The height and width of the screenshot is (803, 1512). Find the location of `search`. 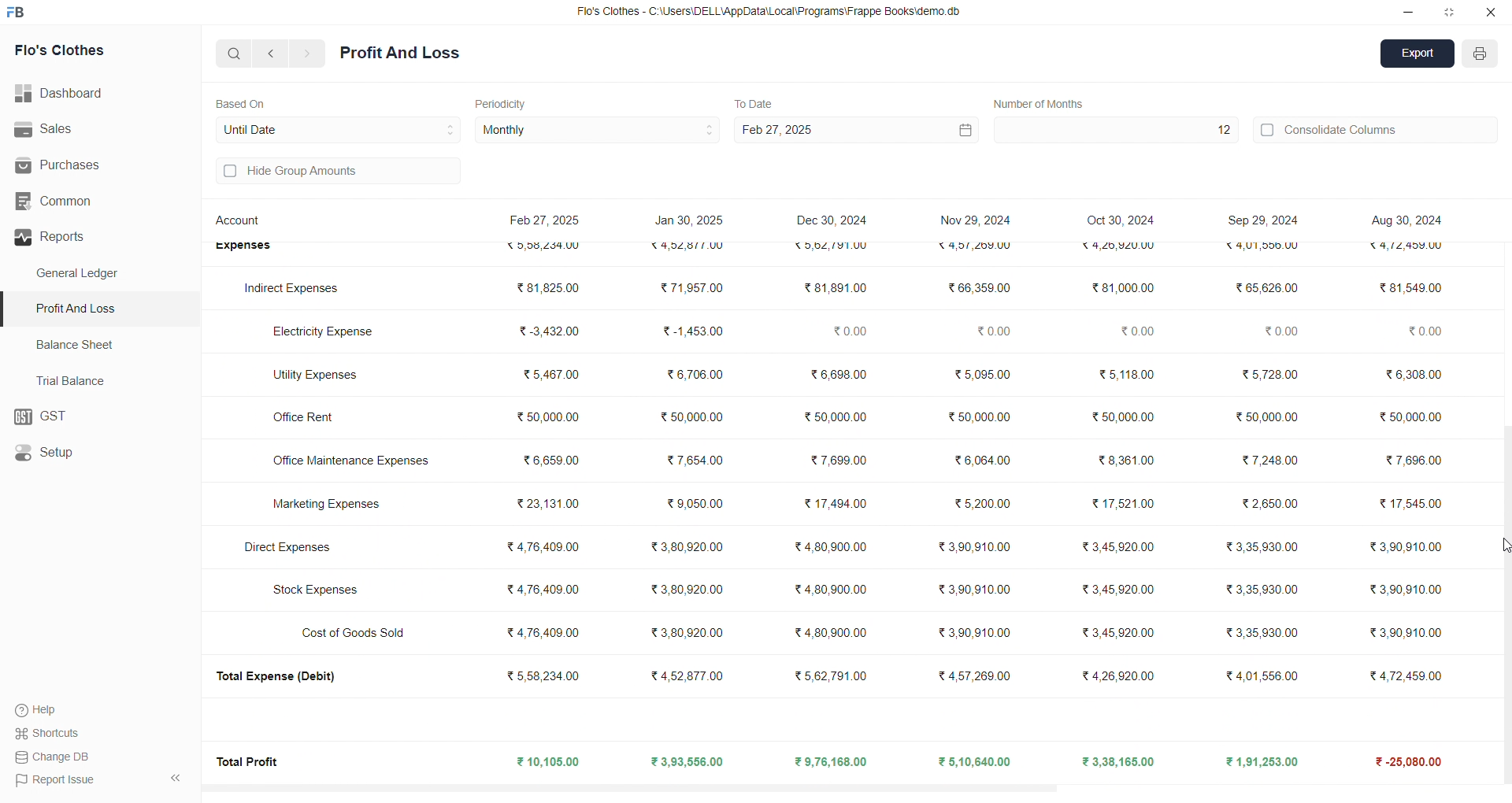

search is located at coordinates (235, 53).